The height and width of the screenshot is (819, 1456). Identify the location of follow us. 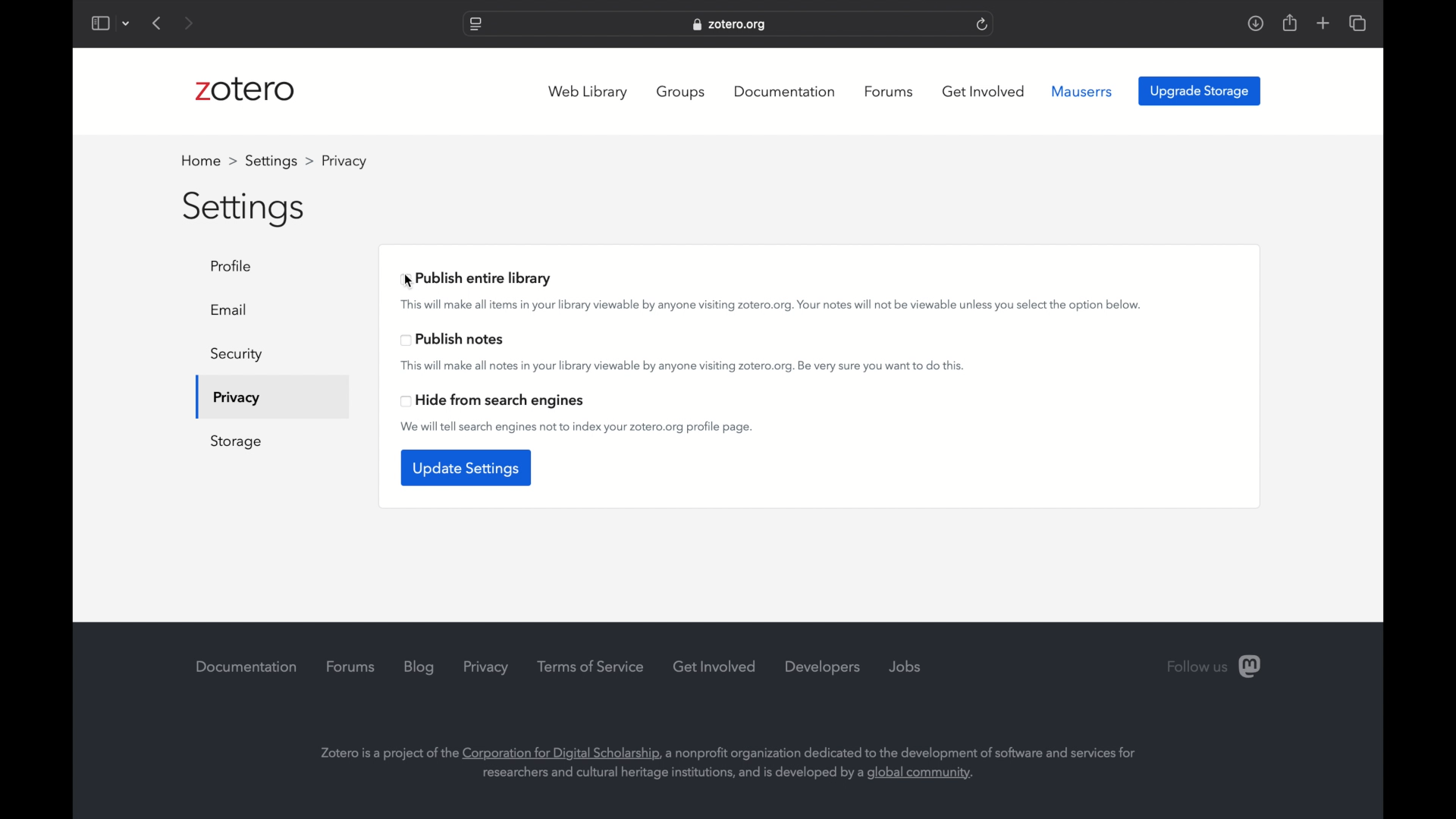
(1214, 666).